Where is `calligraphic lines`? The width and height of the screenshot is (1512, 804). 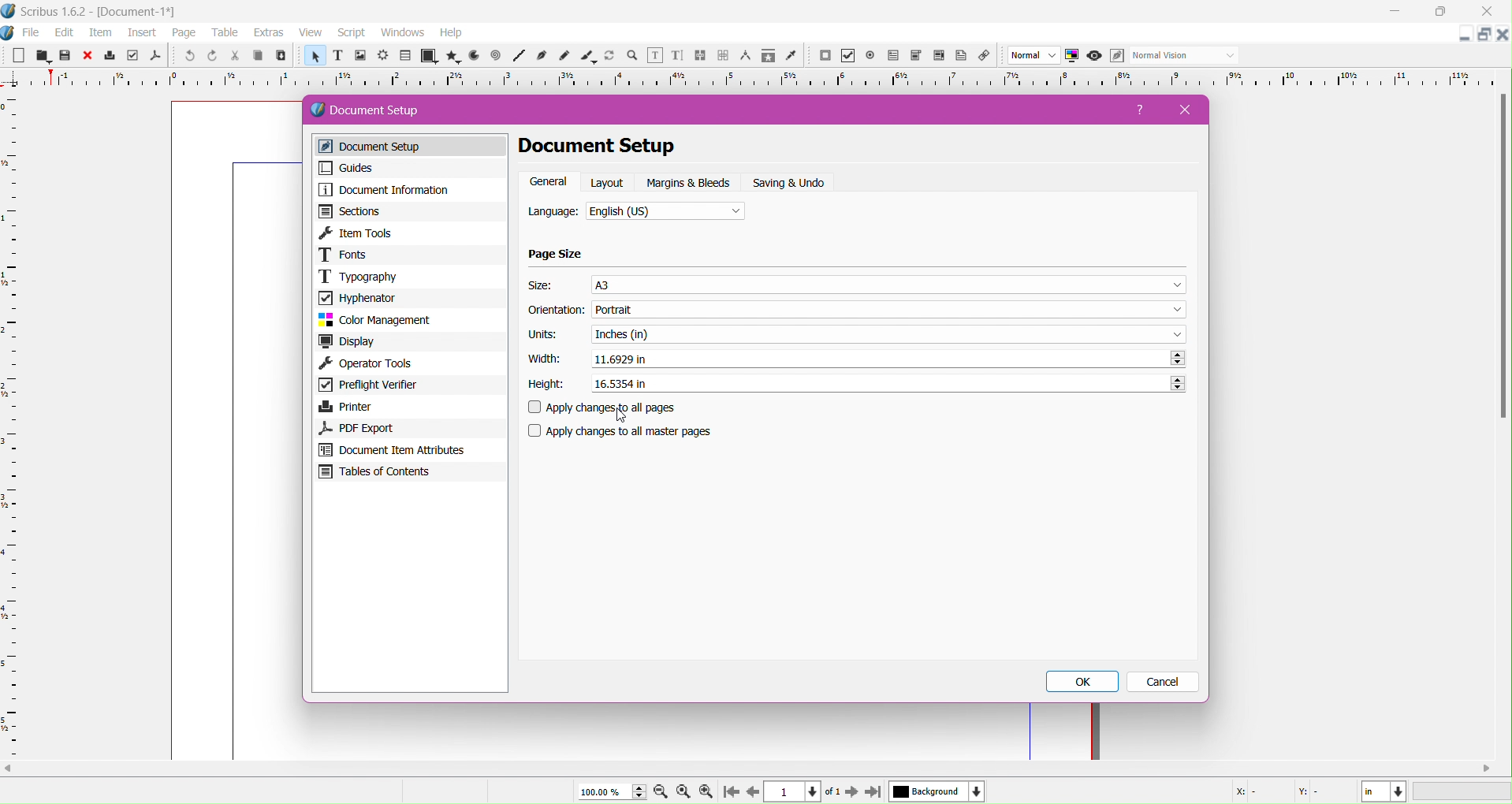
calligraphic lines is located at coordinates (588, 57).